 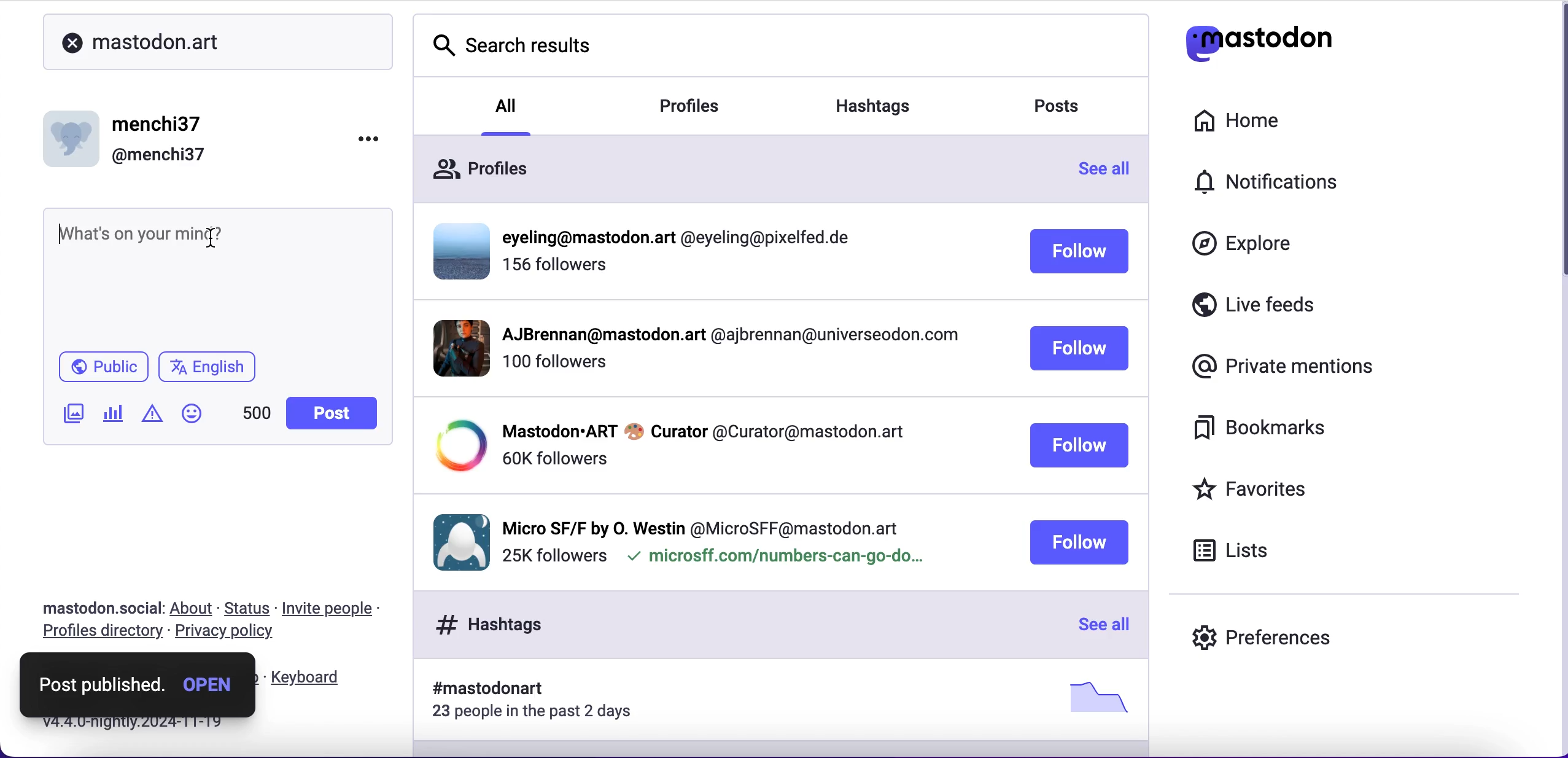 What do you see at coordinates (194, 609) in the screenshot?
I see `about` at bounding box center [194, 609].